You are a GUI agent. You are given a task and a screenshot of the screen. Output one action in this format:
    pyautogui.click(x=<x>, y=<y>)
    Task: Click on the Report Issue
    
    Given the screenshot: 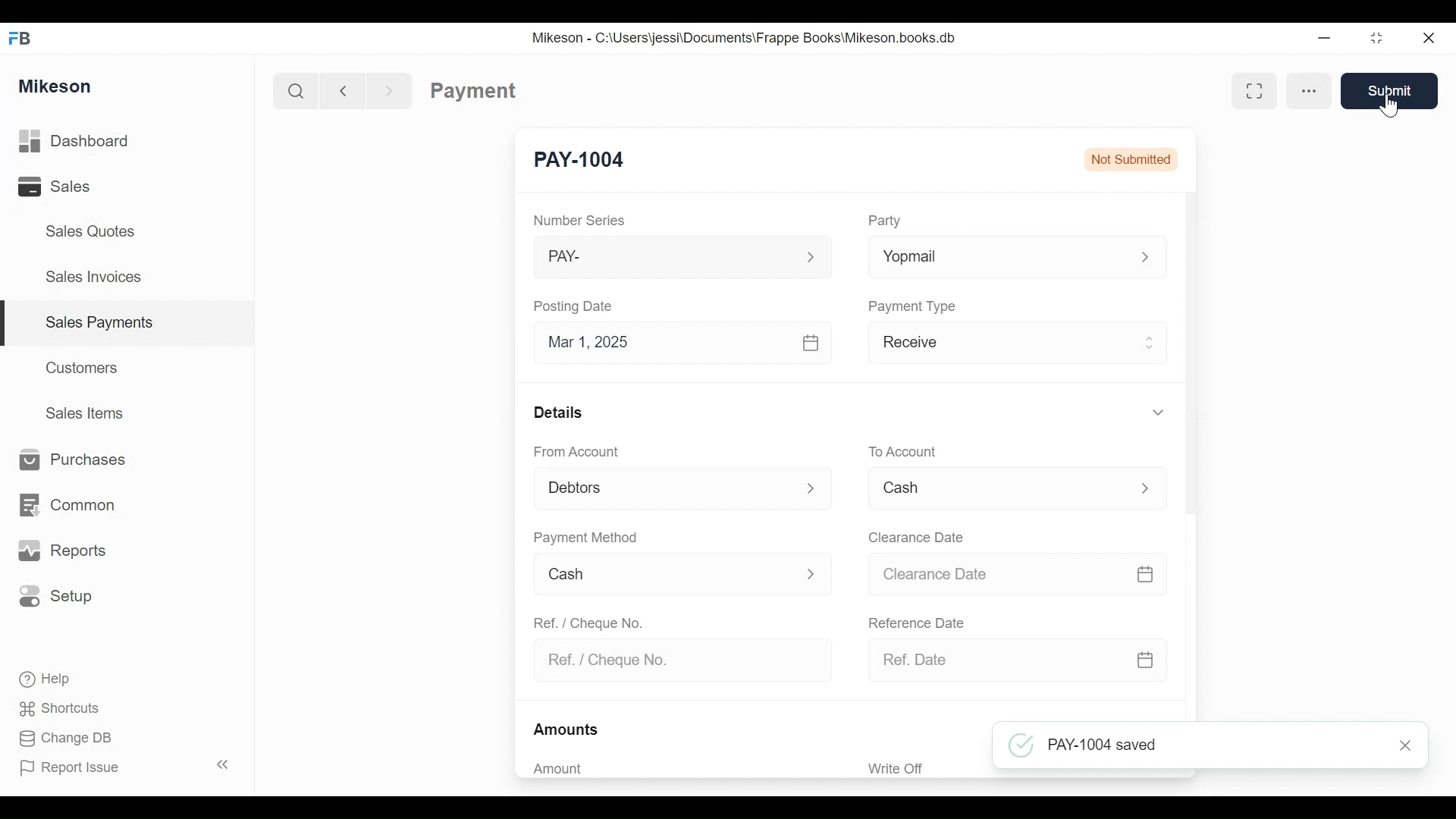 What is the action you would take?
    pyautogui.click(x=77, y=768)
    